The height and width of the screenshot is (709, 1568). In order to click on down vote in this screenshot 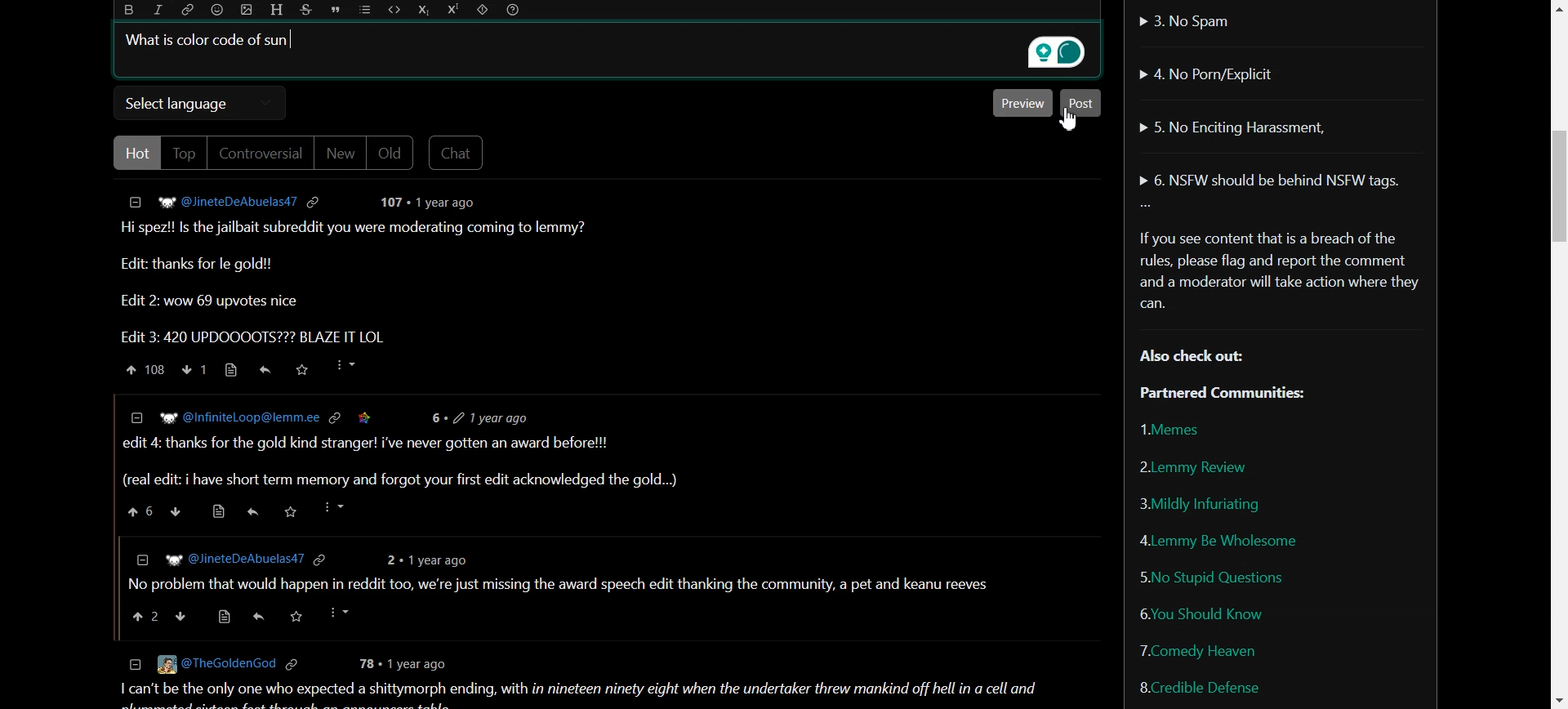, I will do `click(180, 615)`.